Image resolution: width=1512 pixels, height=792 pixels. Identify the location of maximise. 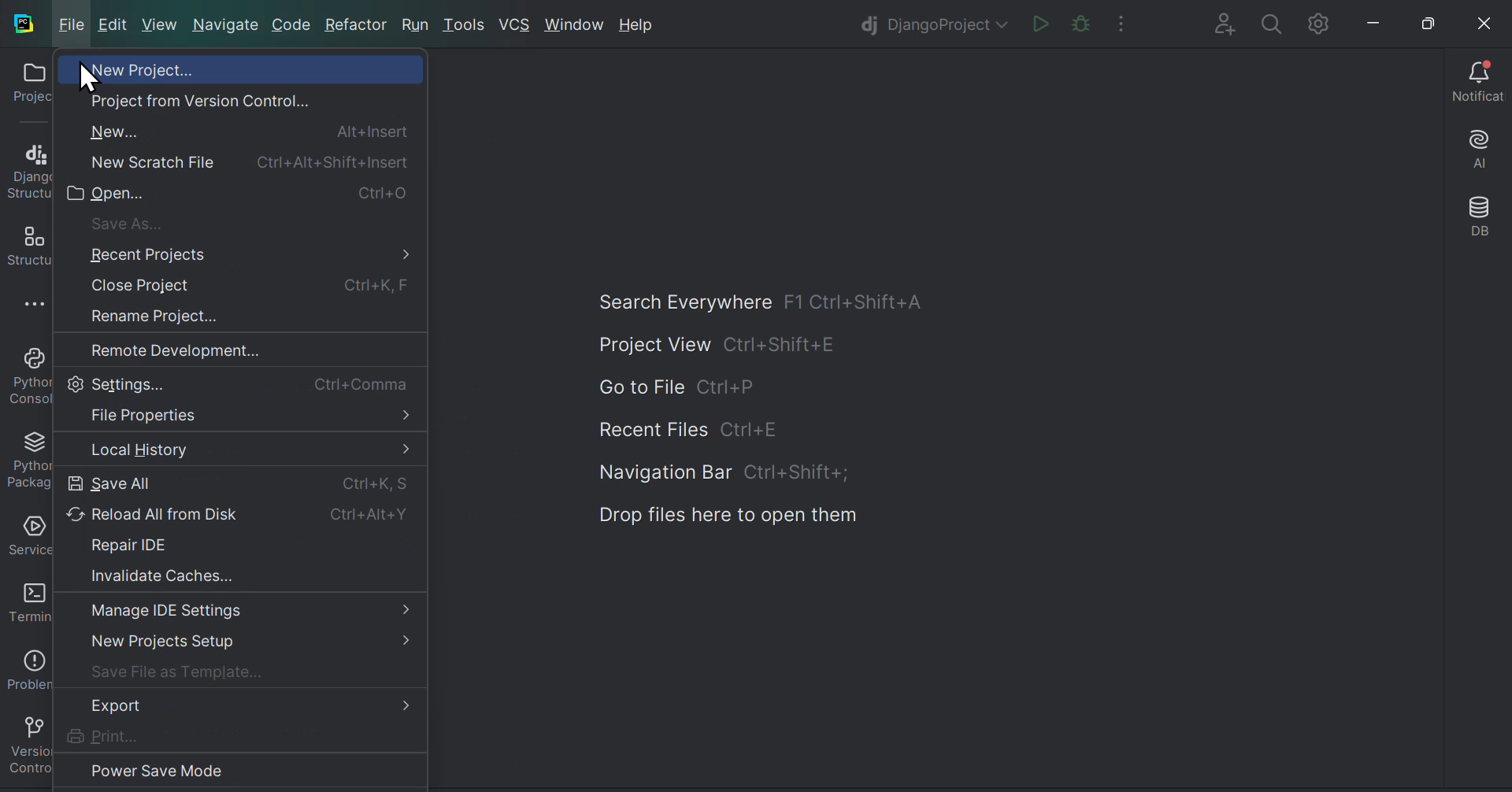
(1421, 20).